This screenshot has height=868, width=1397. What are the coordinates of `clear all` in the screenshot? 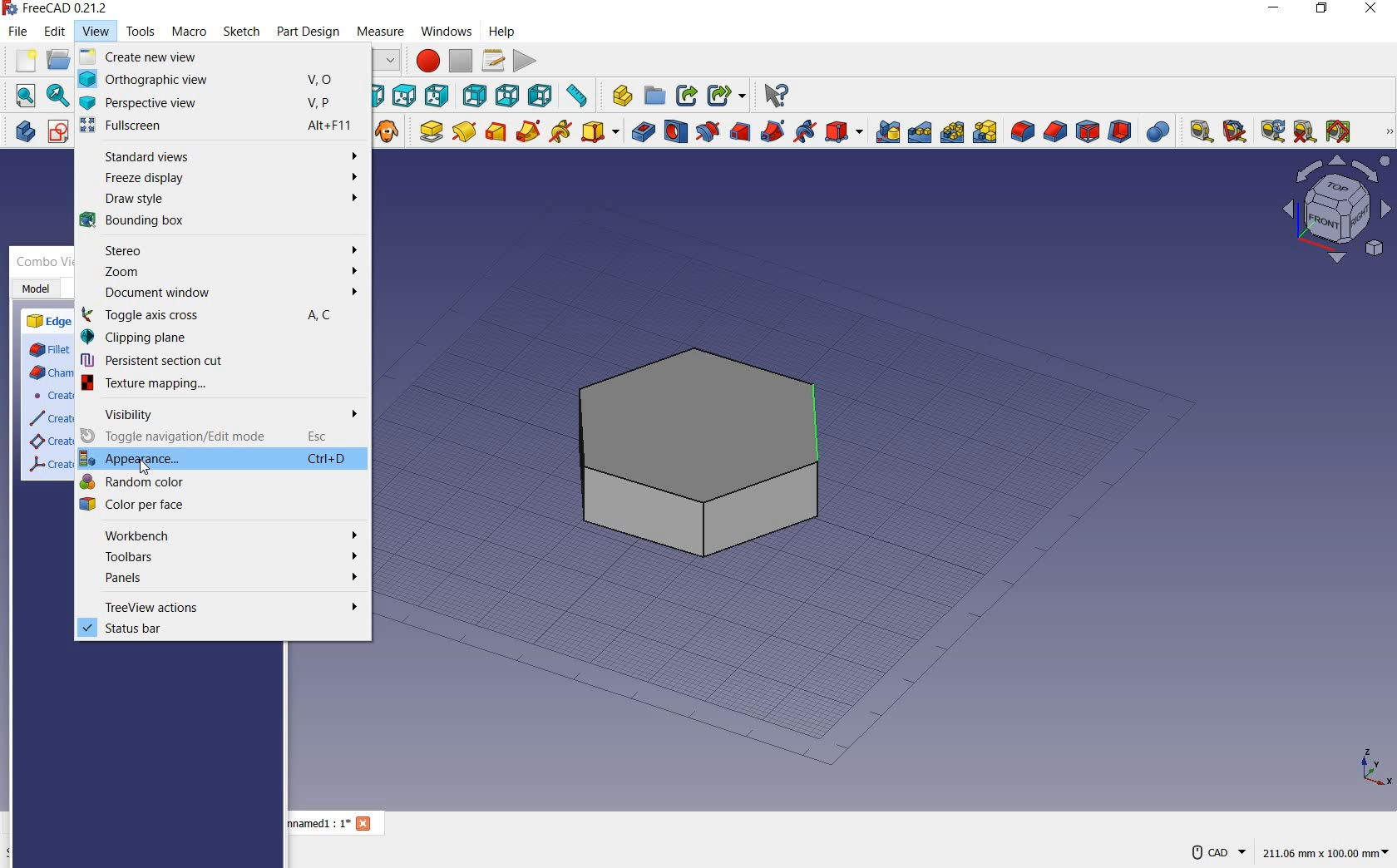 It's located at (1305, 132).